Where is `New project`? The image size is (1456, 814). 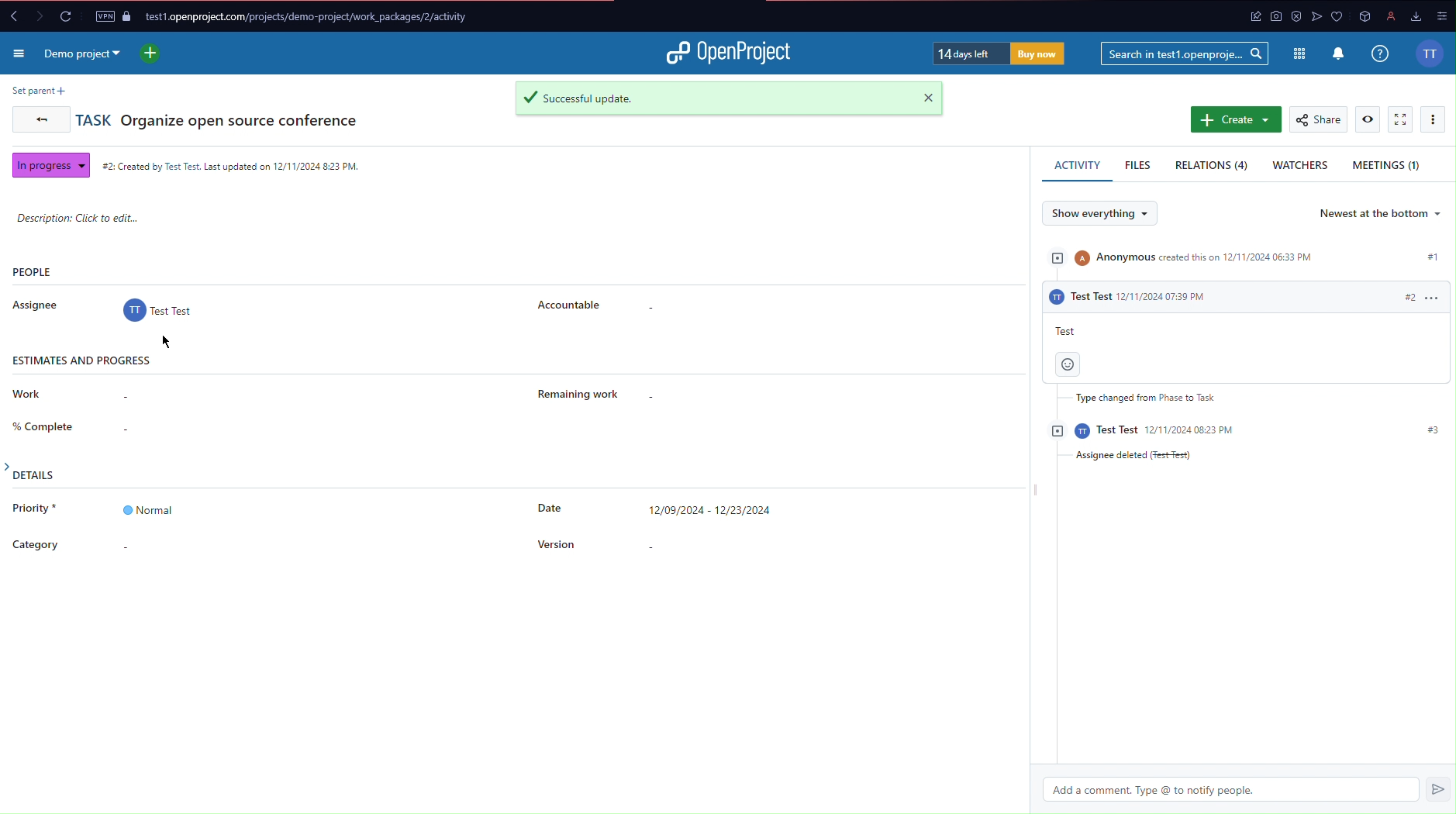
New project is located at coordinates (153, 53).